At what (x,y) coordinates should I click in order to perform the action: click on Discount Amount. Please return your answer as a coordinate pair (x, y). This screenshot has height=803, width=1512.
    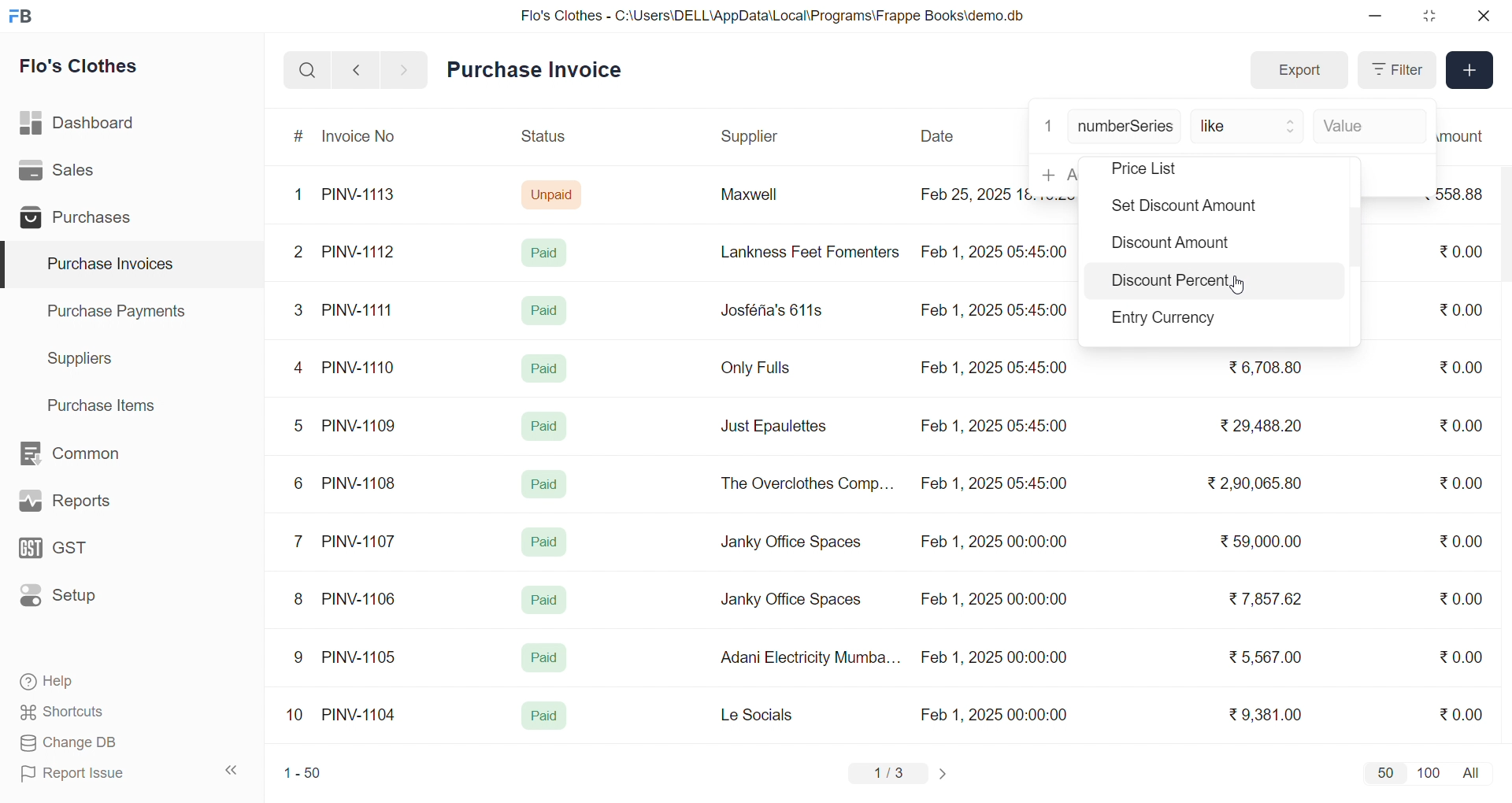
    Looking at the image, I should click on (1168, 246).